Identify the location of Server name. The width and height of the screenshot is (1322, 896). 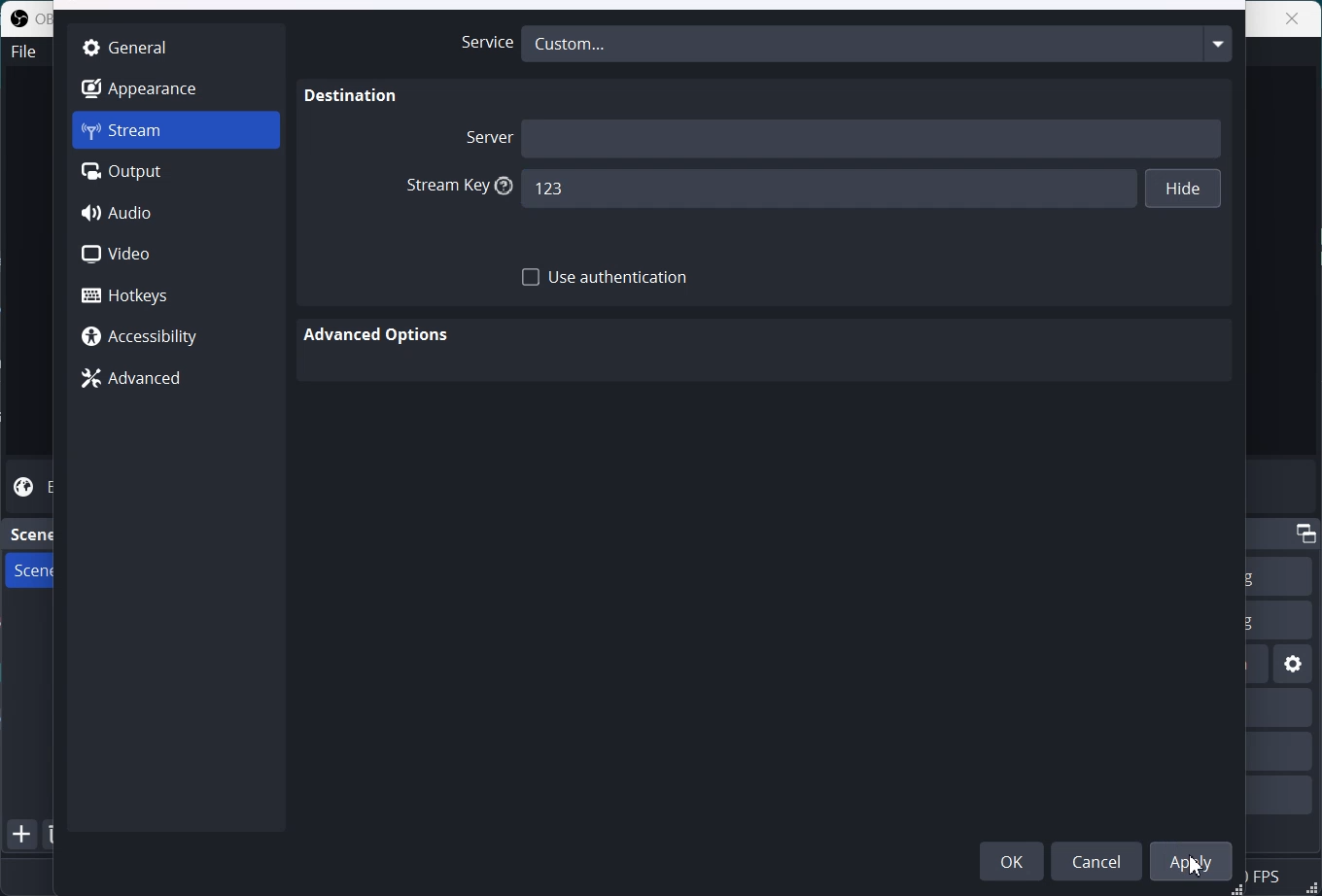
(873, 137).